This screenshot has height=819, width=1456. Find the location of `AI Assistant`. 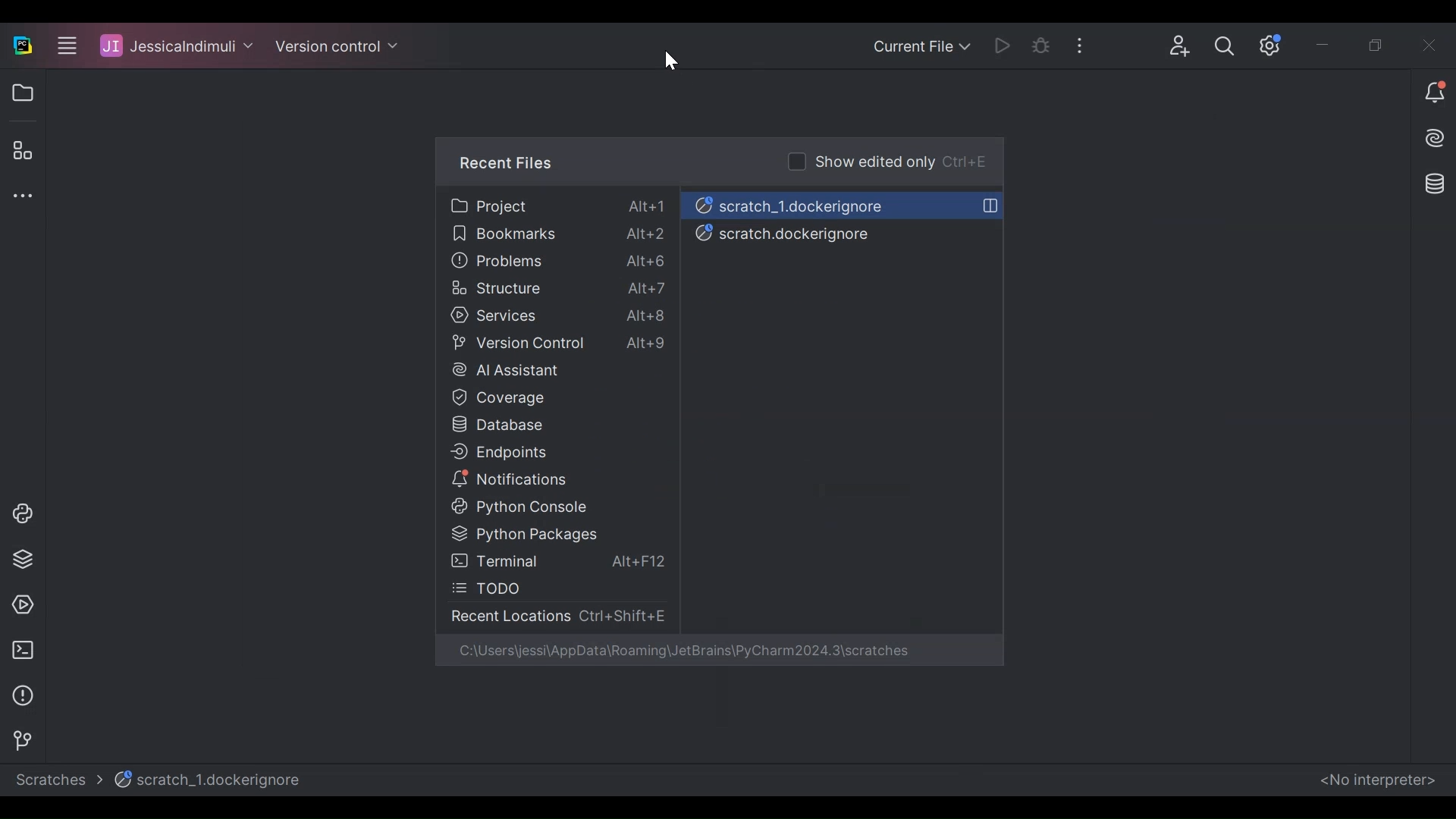

AI Assistant is located at coordinates (556, 369).